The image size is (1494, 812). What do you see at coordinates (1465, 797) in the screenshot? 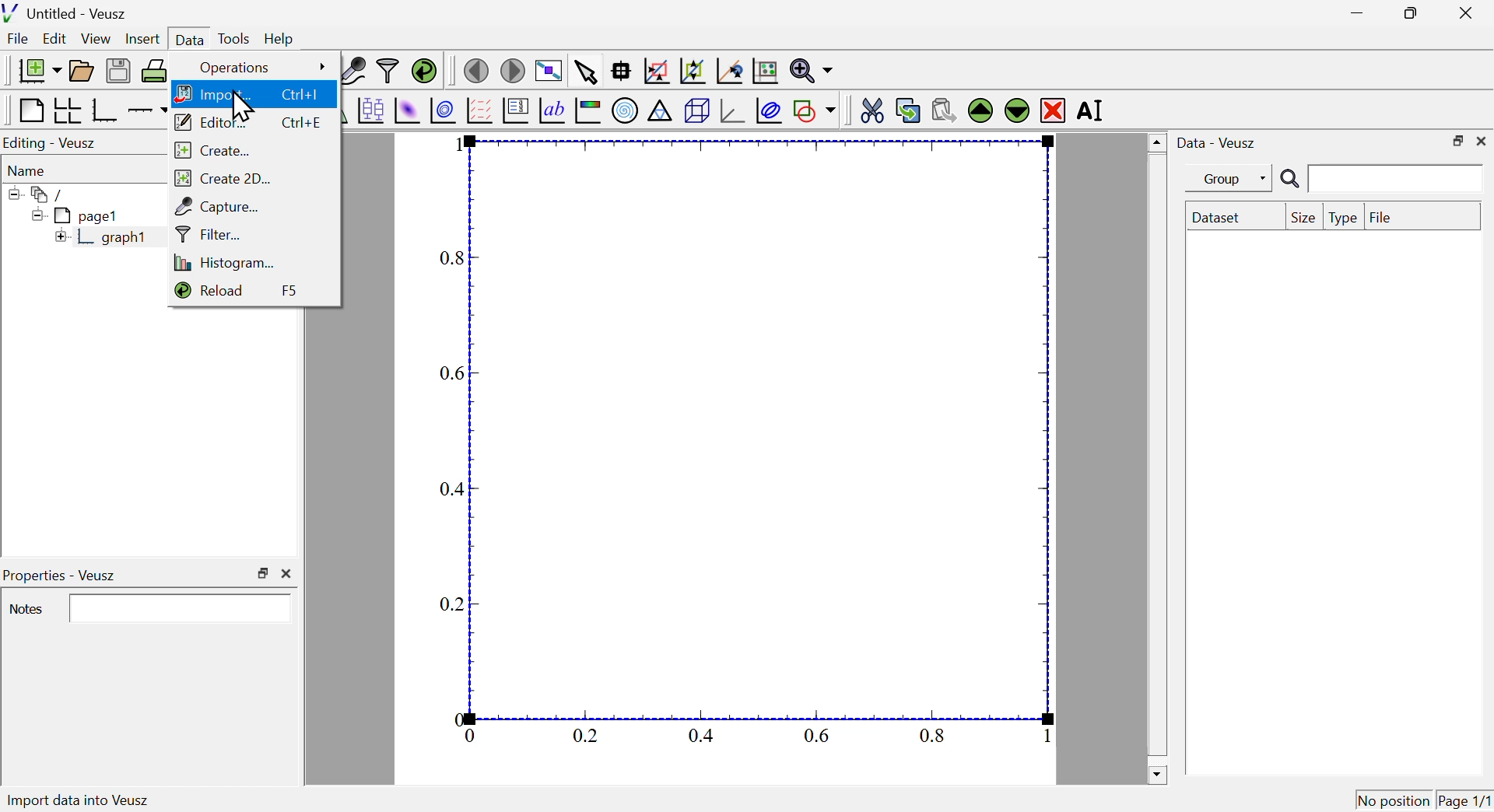
I see `page1/1` at bounding box center [1465, 797].